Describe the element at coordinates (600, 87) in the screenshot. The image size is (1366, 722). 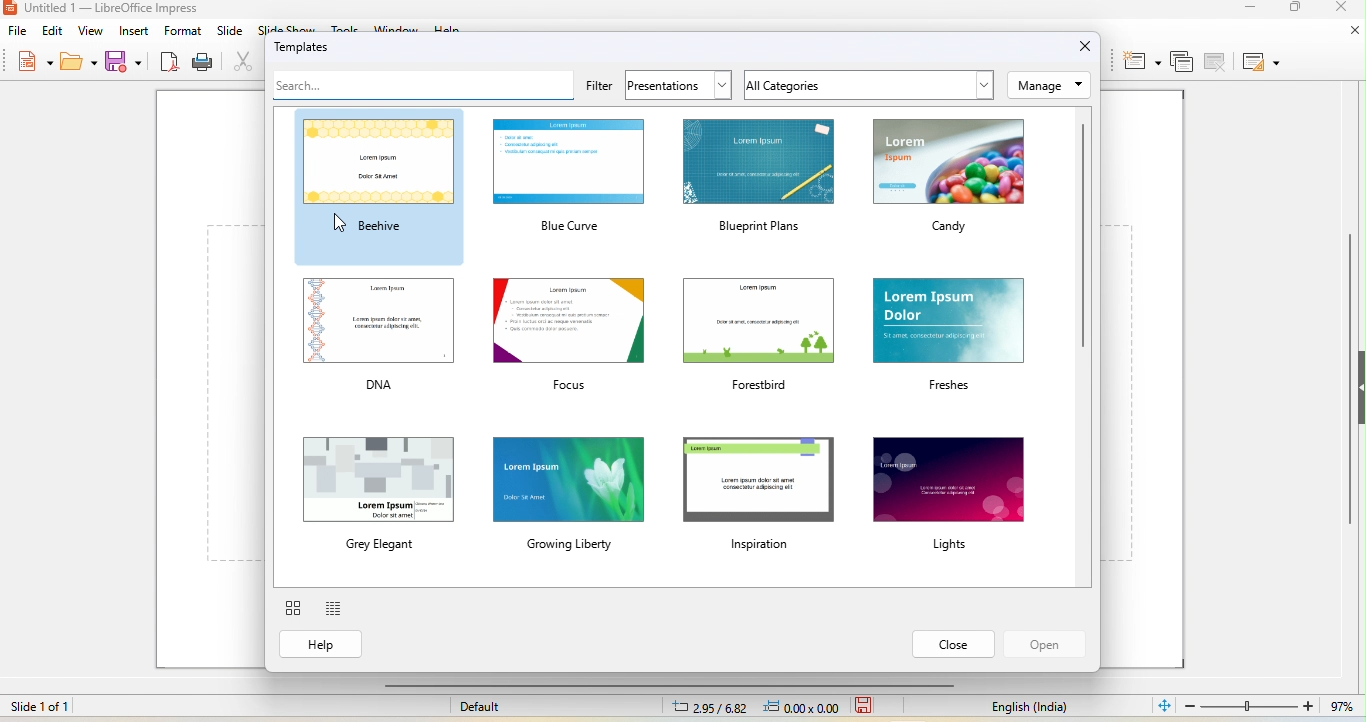
I see `filter` at that location.